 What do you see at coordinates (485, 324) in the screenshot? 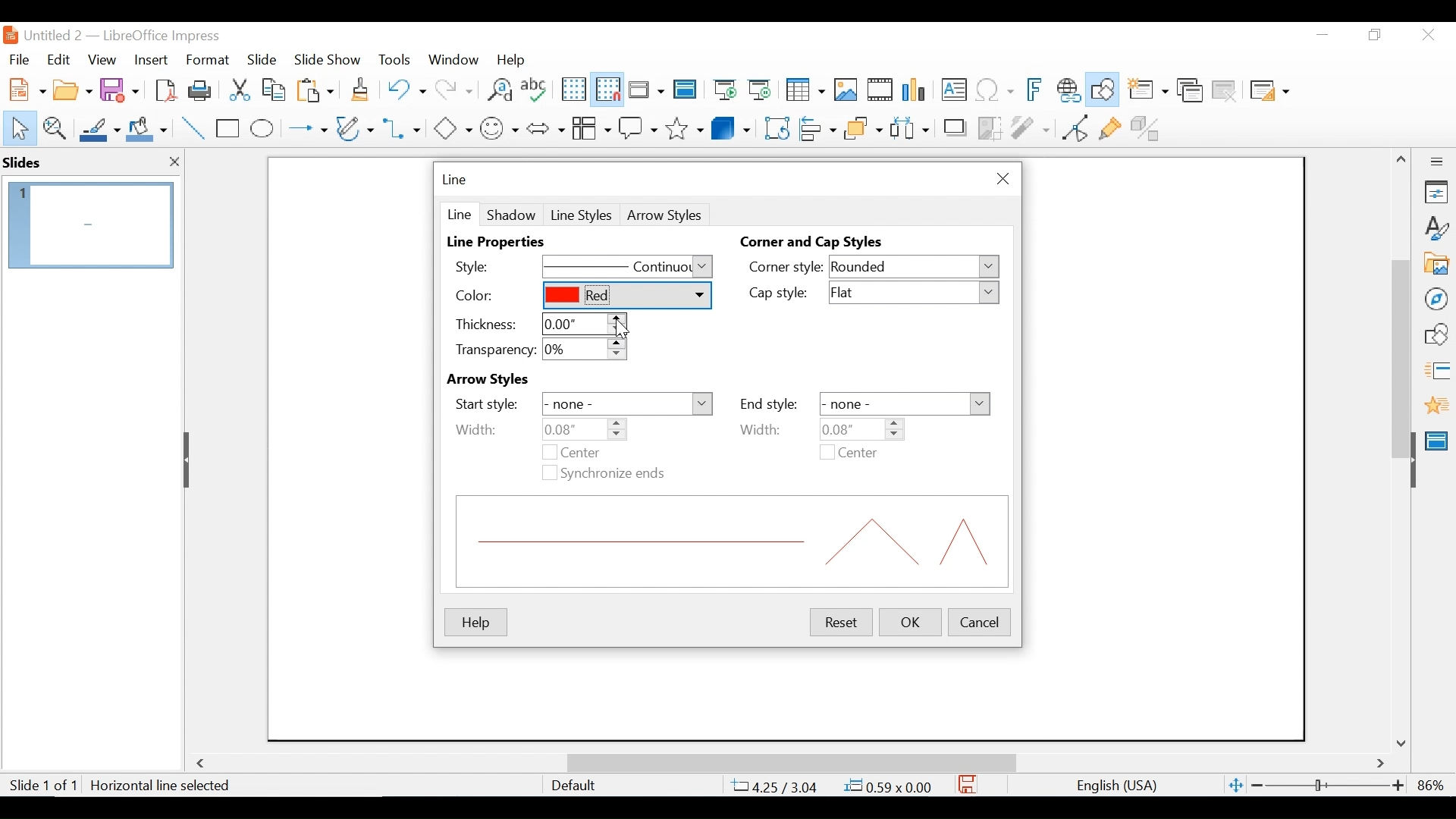
I see `Thickness` at bounding box center [485, 324].